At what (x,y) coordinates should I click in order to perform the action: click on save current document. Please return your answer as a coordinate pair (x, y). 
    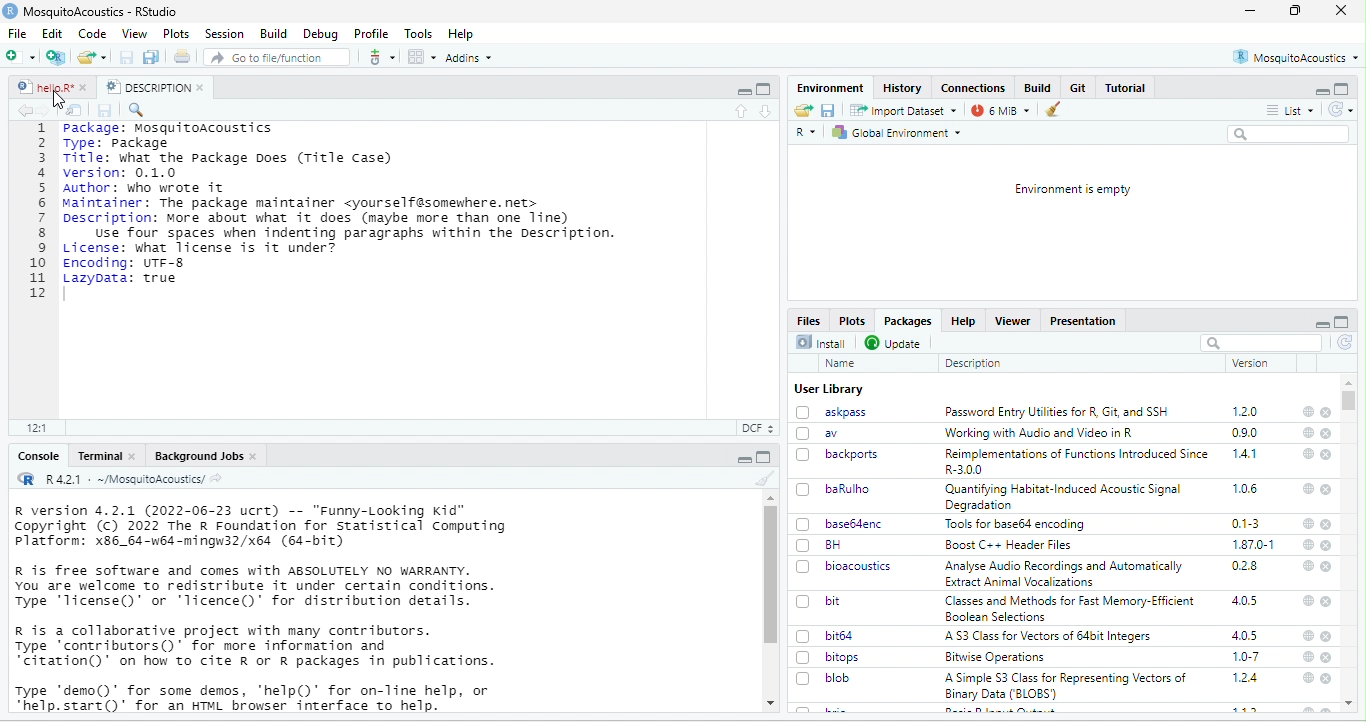
    Looking at the image, I should click on (127, 57).